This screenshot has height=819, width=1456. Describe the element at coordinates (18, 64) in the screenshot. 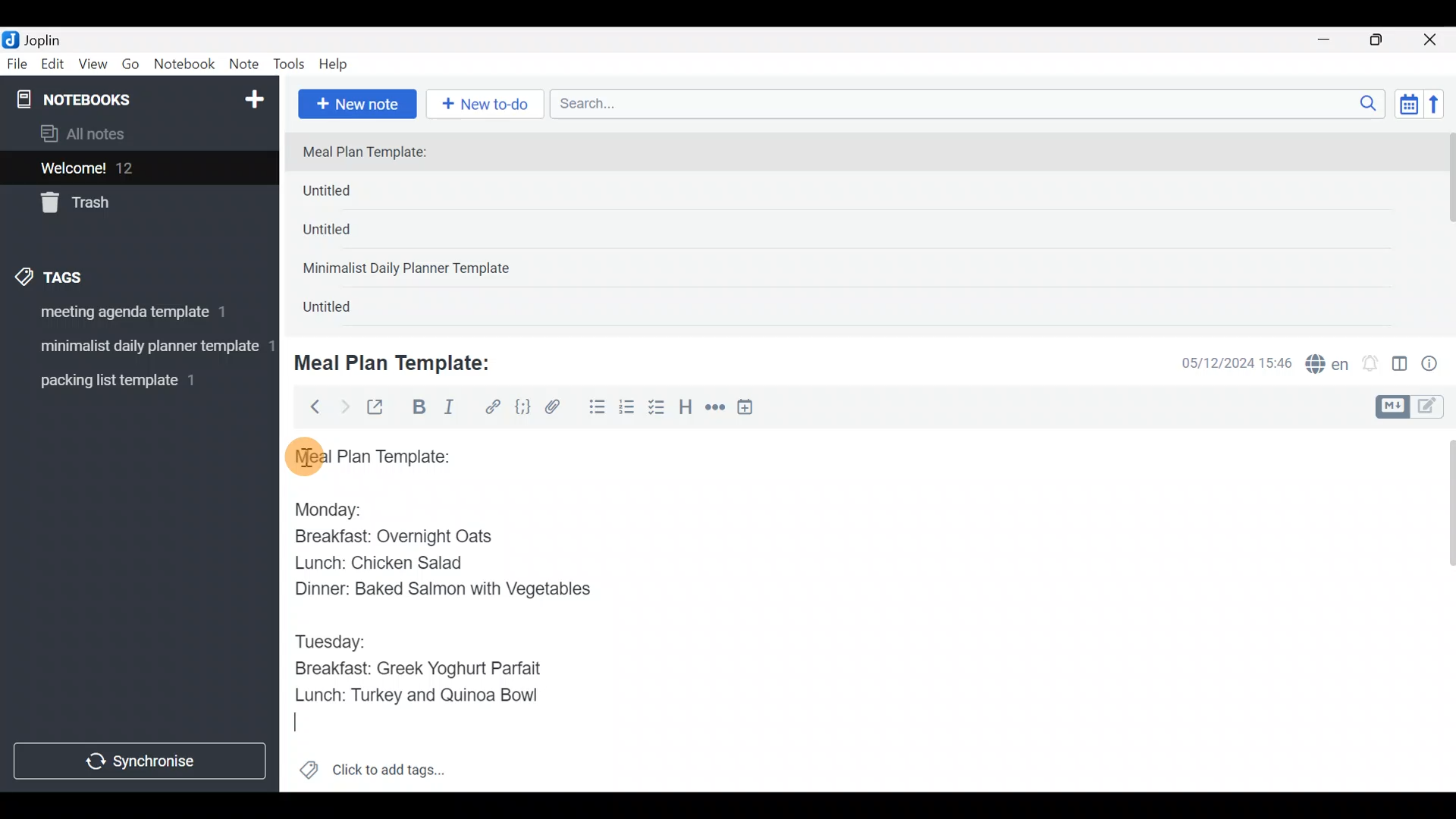

I see `File` at that location.